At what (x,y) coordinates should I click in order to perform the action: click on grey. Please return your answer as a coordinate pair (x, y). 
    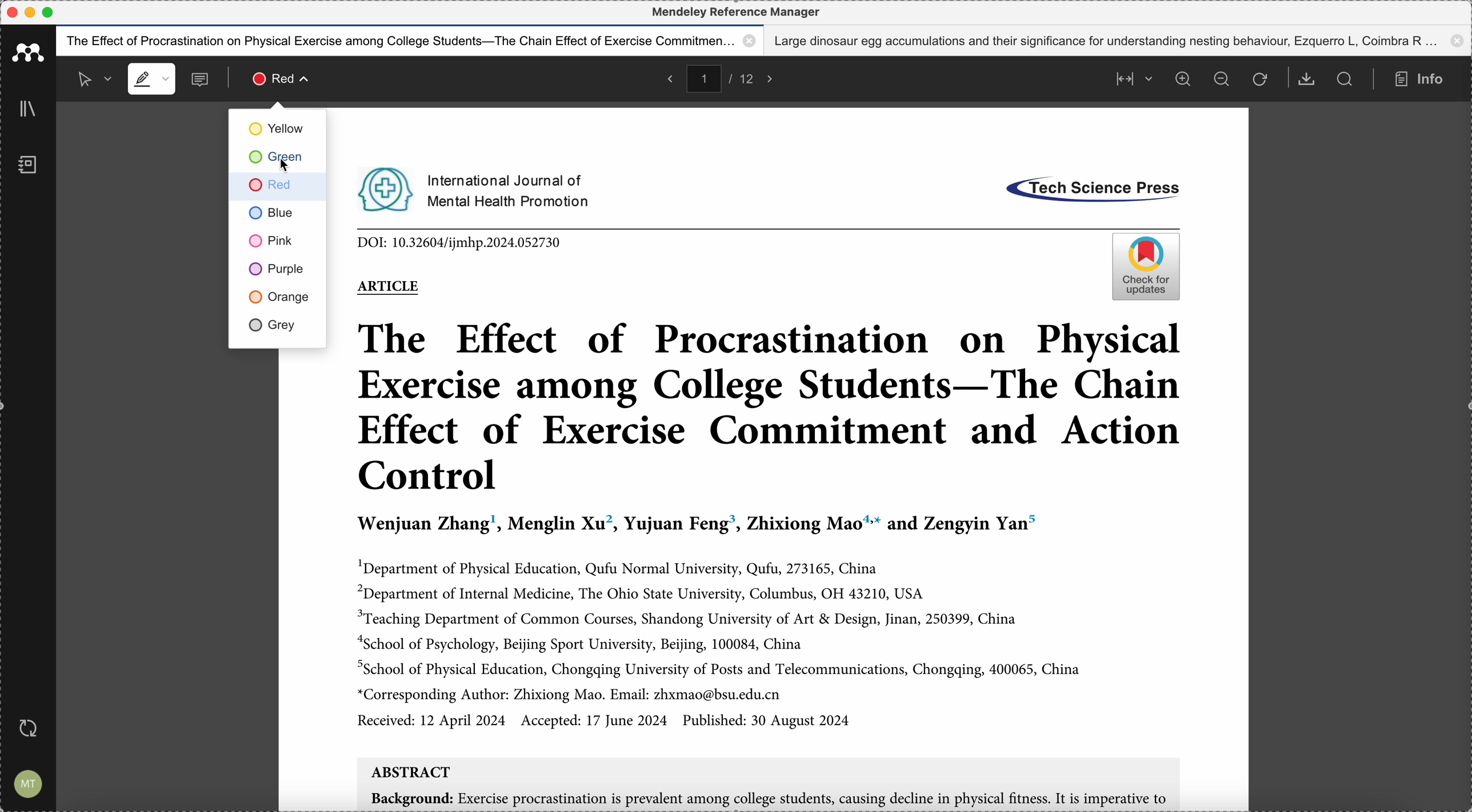
    Looking at the image, I should click on (270, 326).